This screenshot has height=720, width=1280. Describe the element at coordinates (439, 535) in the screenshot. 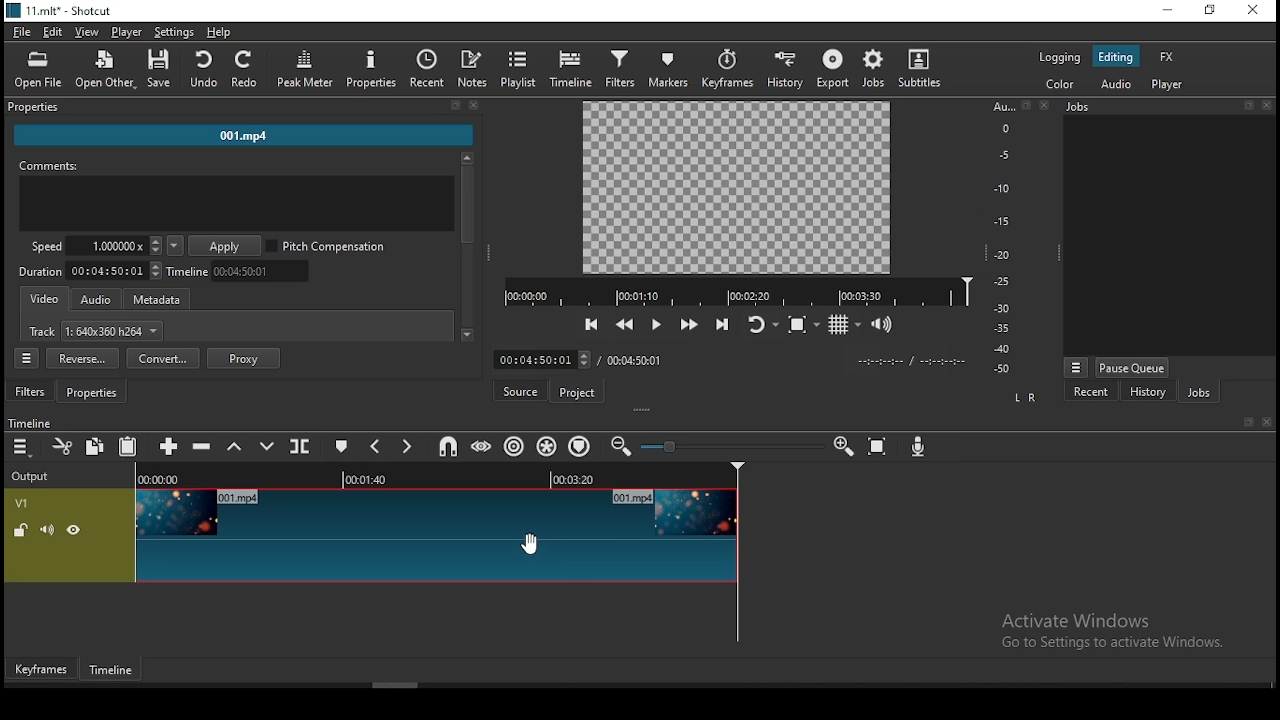

I see `video track V1` at that location.